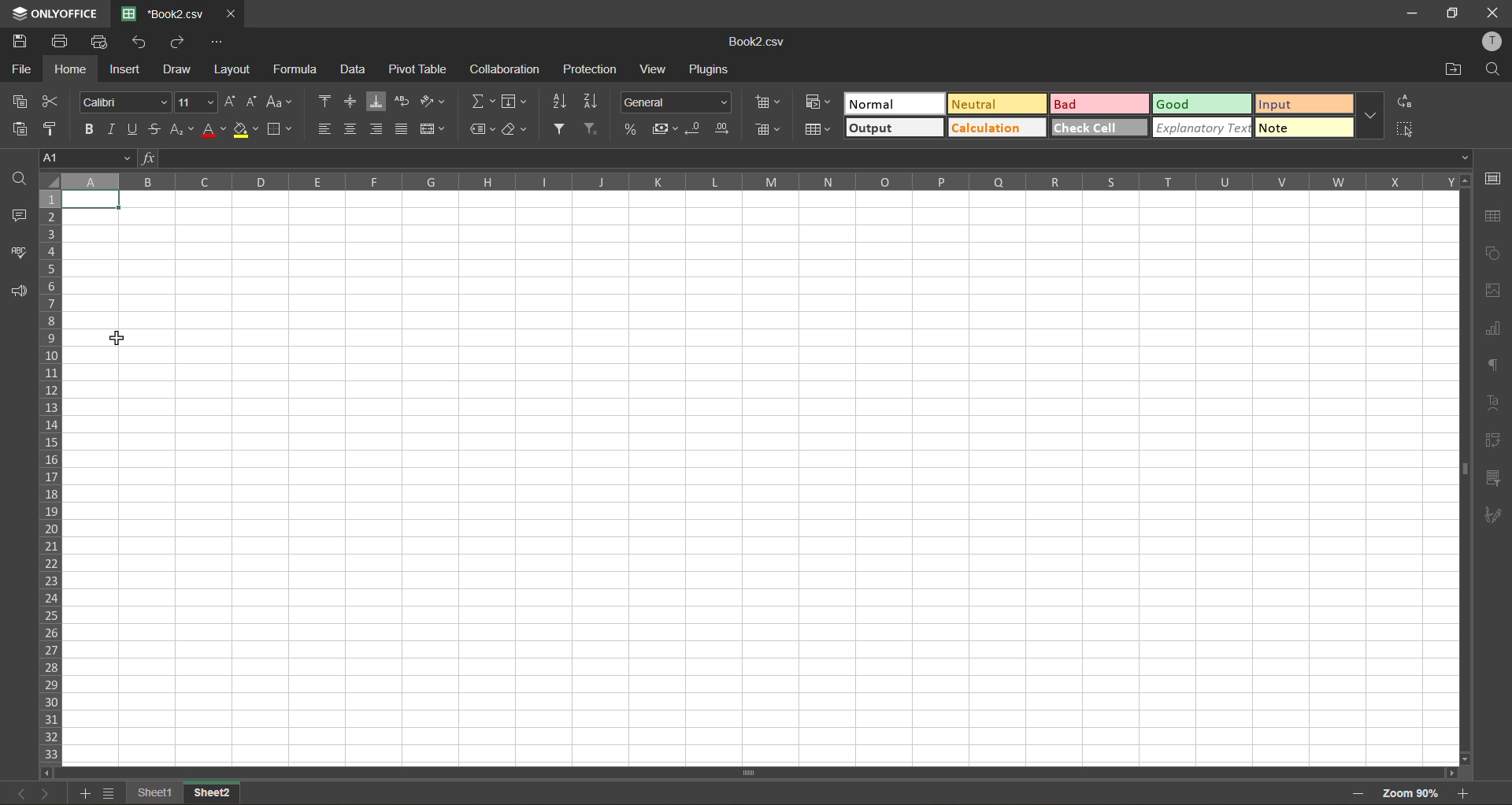  I want to click on column names, so click(757, 181).